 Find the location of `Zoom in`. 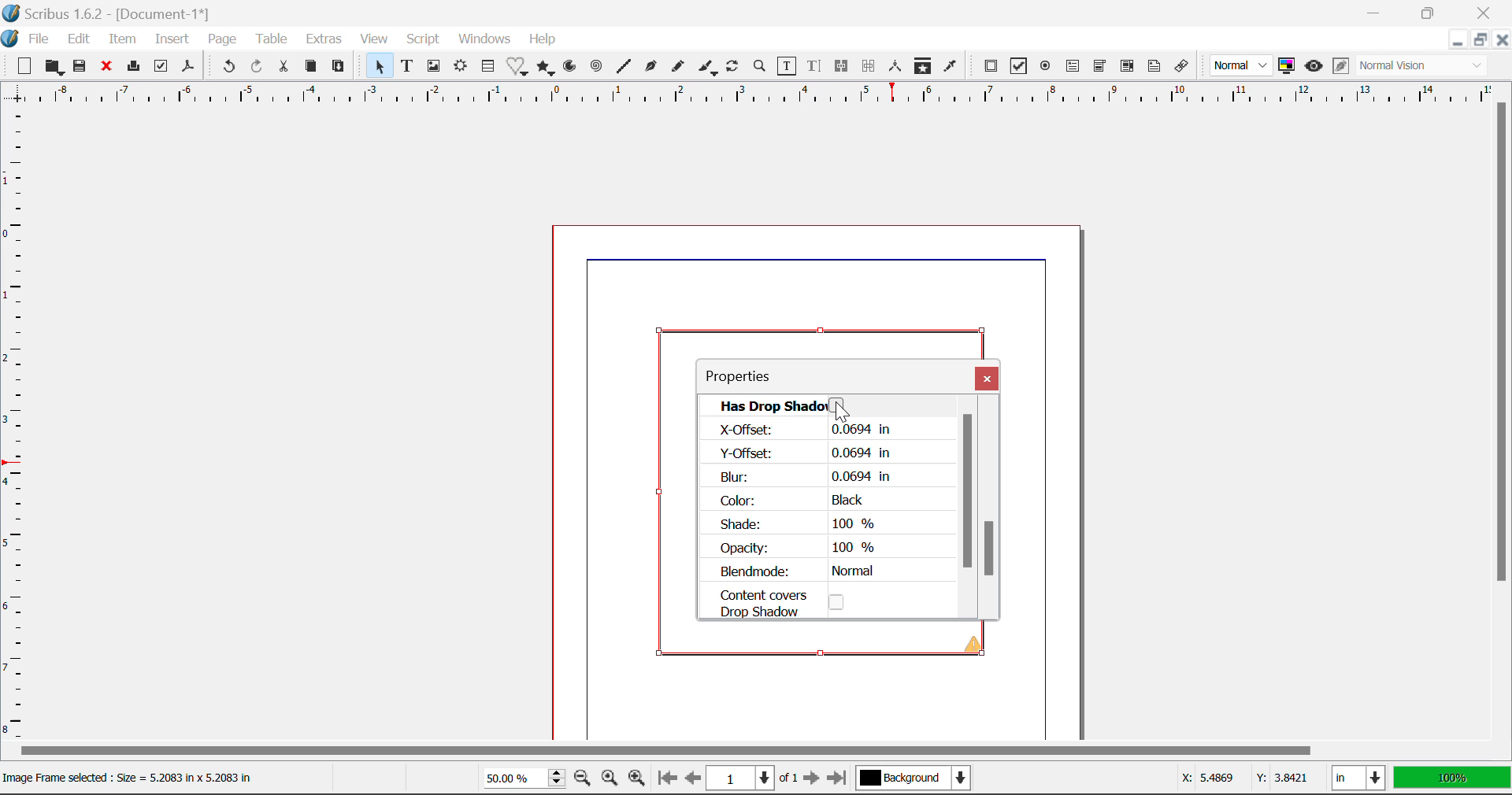

Zoom in is located at coordinates (638, 779).